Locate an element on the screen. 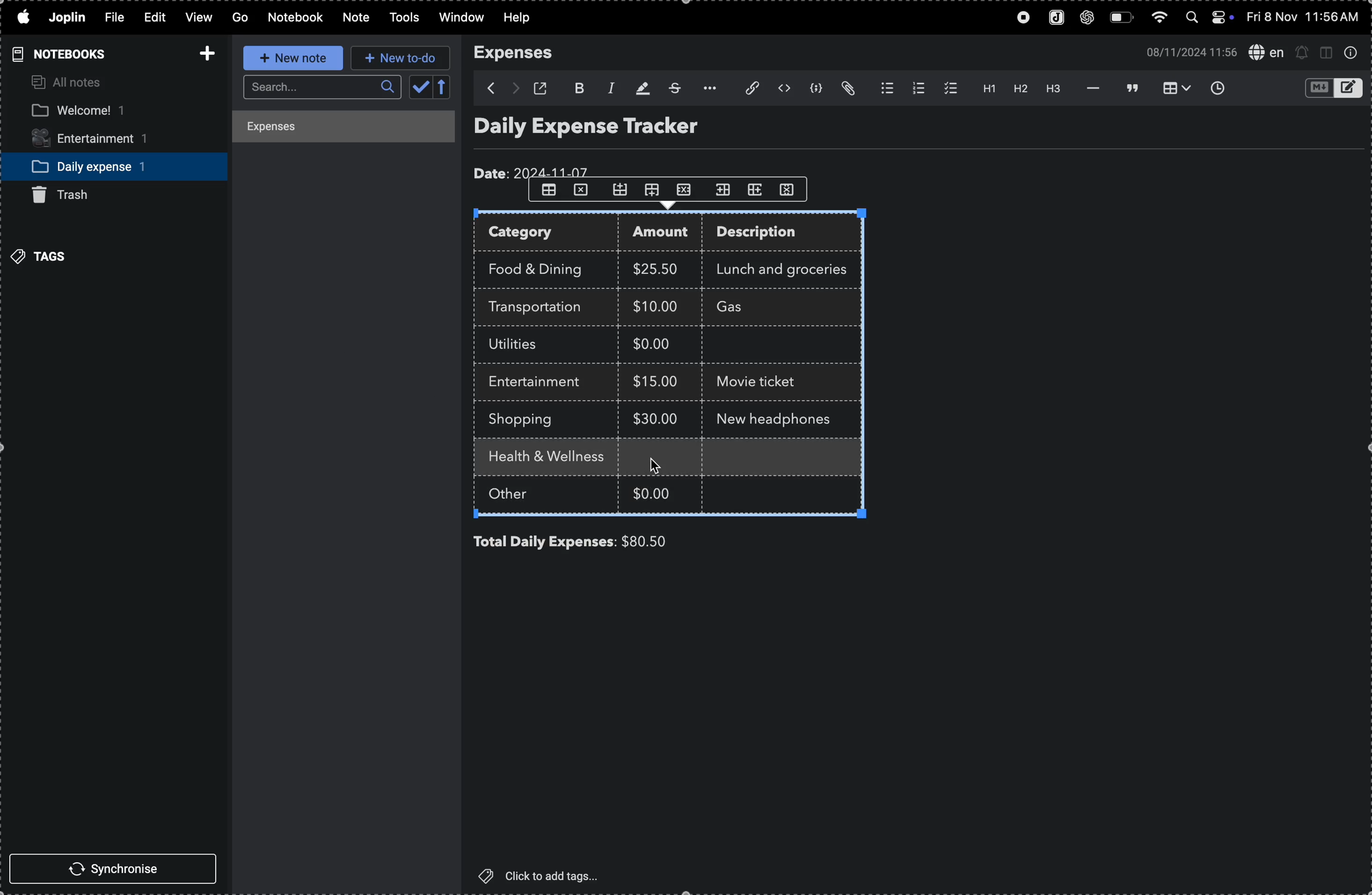 The height and width of the screenshot is (895, 1372). entertainment is located at coordinates (101, 140).